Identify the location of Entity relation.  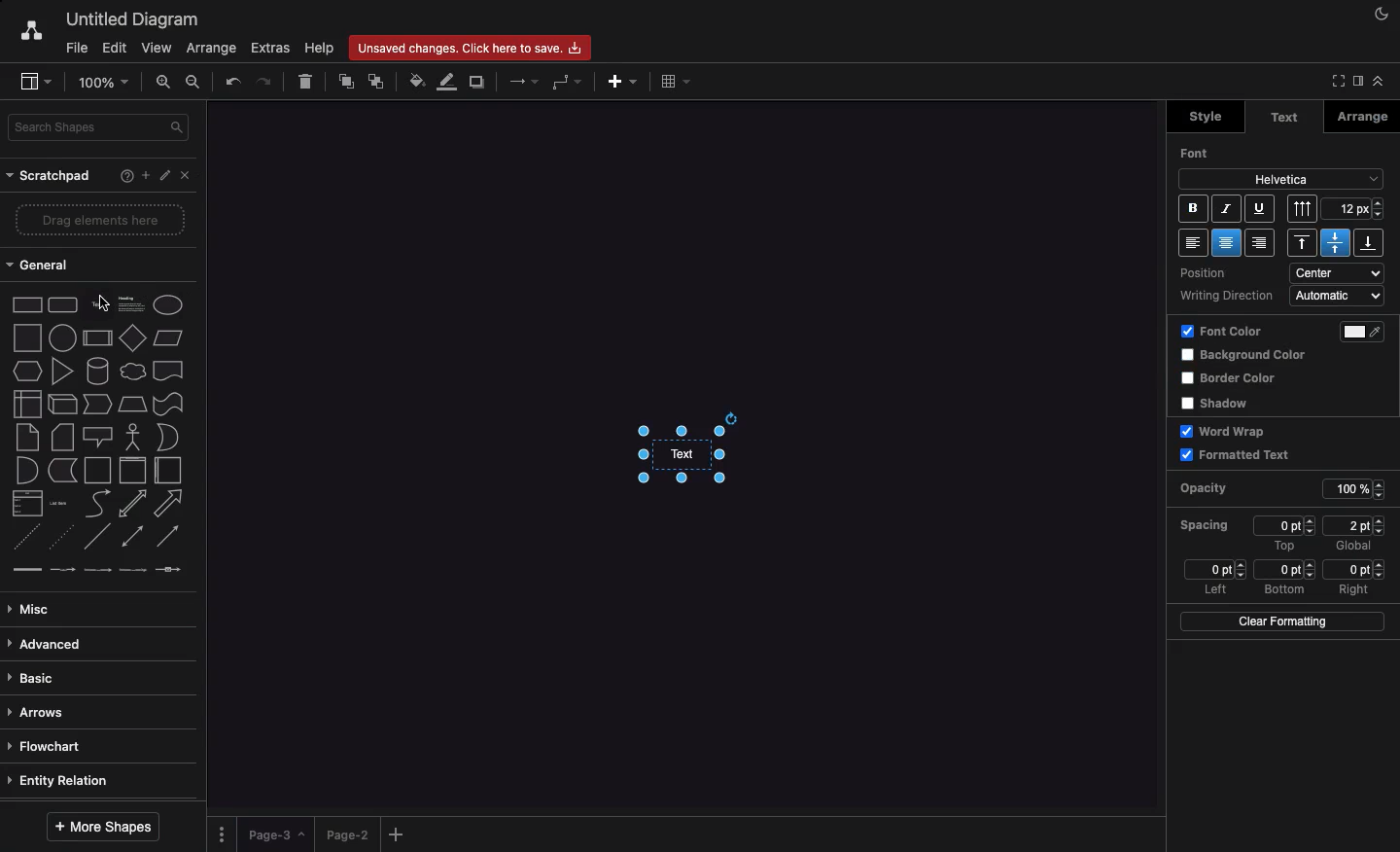
(61, 782).